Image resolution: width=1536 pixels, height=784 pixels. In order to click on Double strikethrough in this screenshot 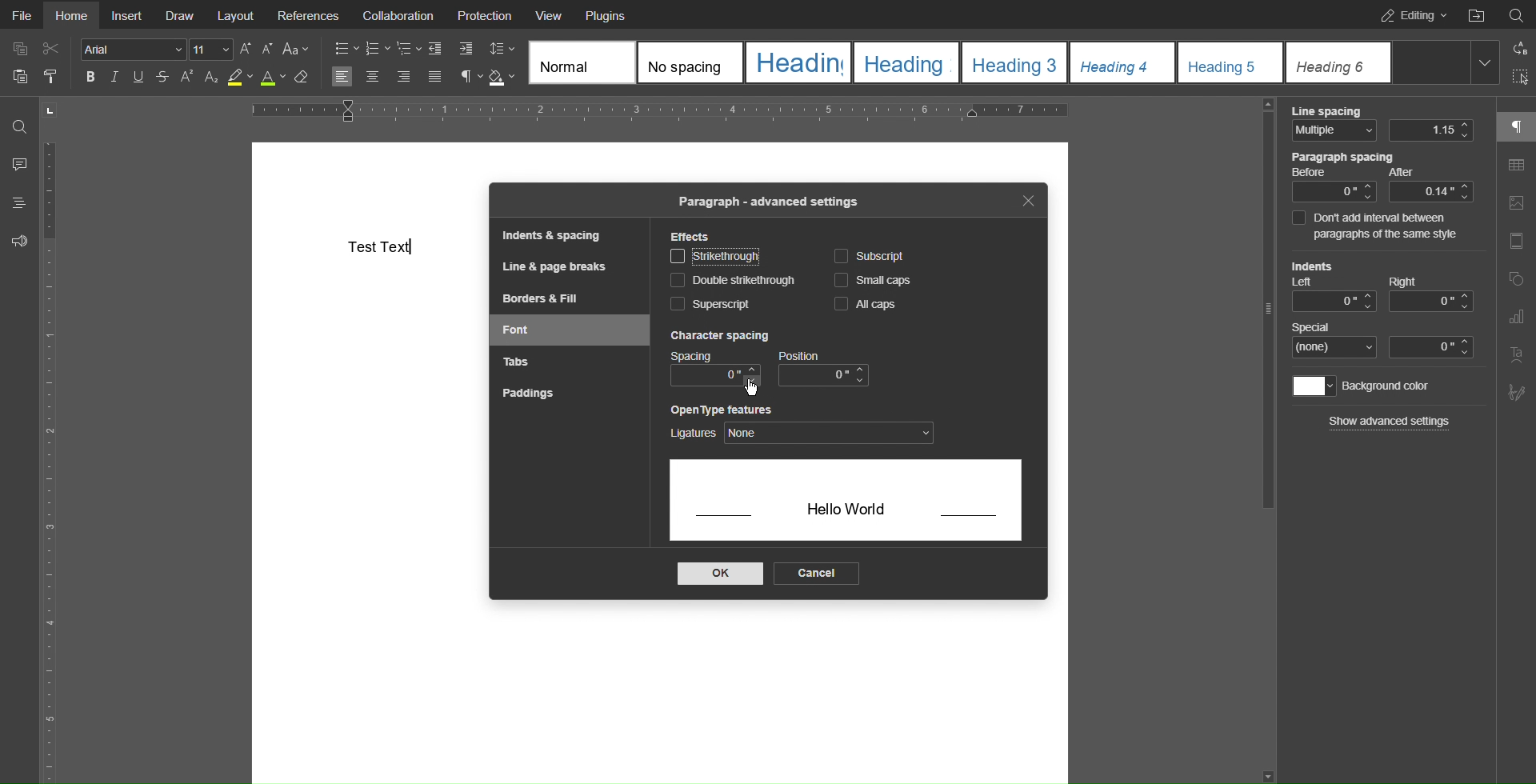, I will do `click(733, 281)`.